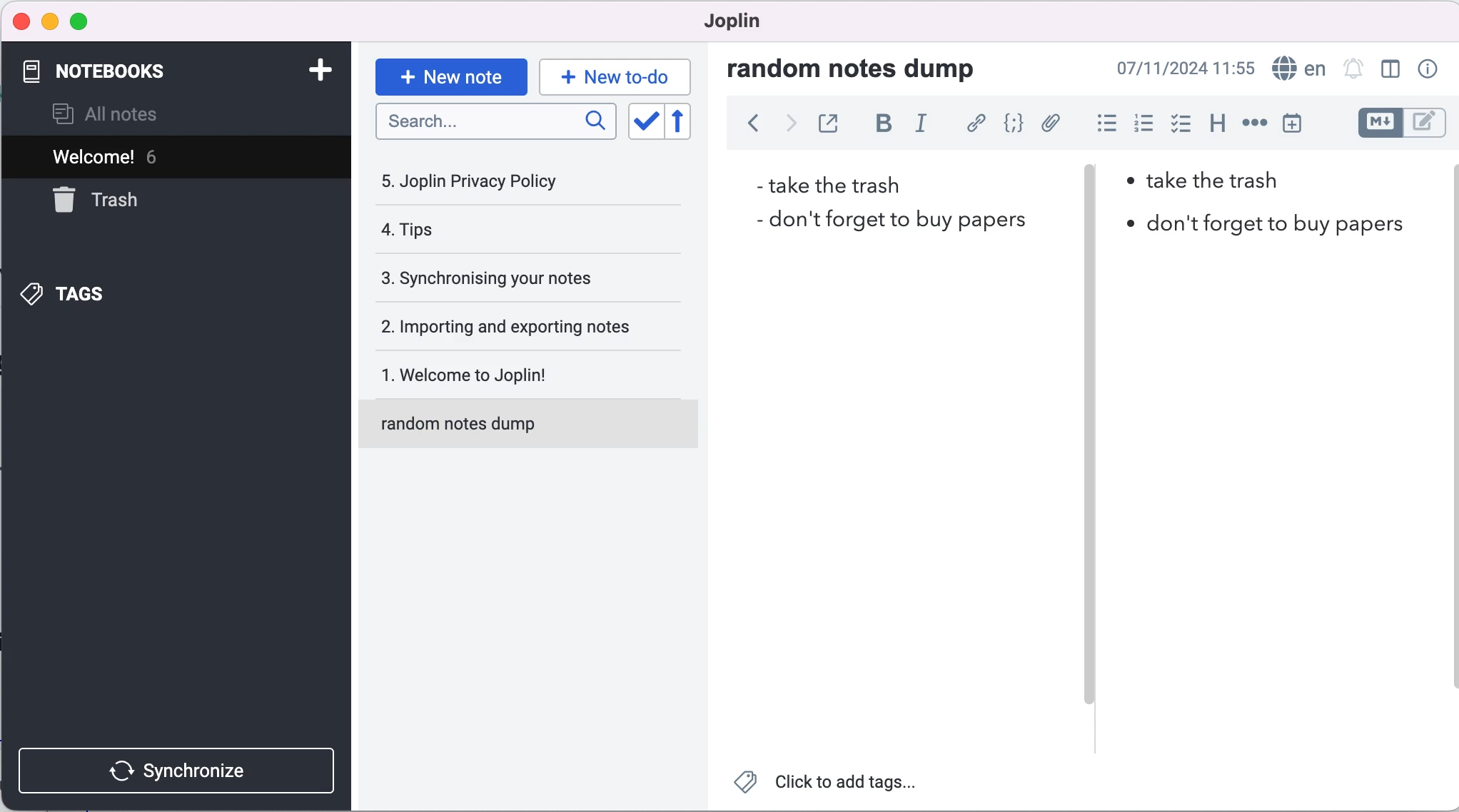 This screenshot has height=812, width=1459. What do you see at coordinates (313, 73) in the screenshot?
I see `add notebook` at bounding box center [313, 73].